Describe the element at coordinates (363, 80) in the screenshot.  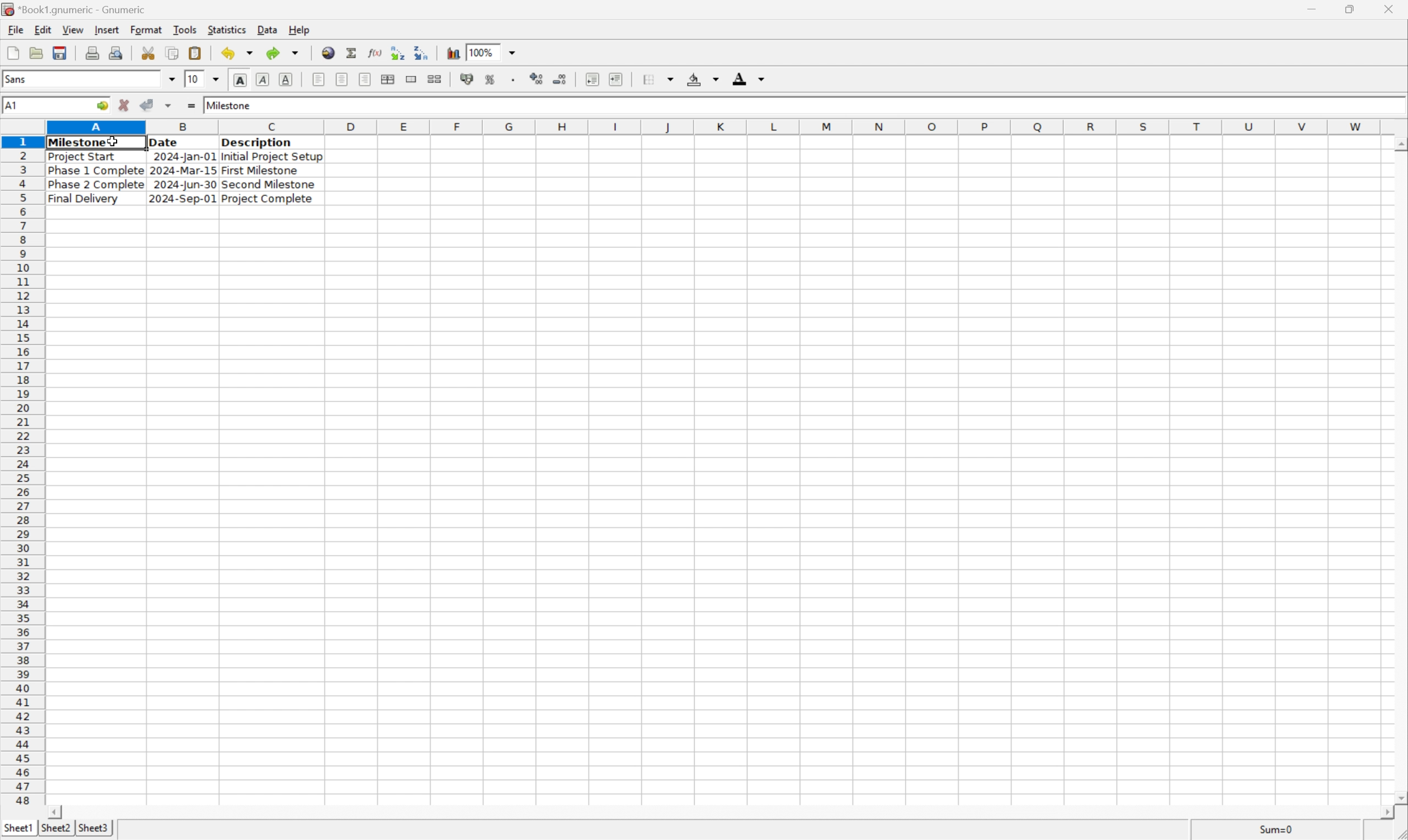
I see `align right` at that location.